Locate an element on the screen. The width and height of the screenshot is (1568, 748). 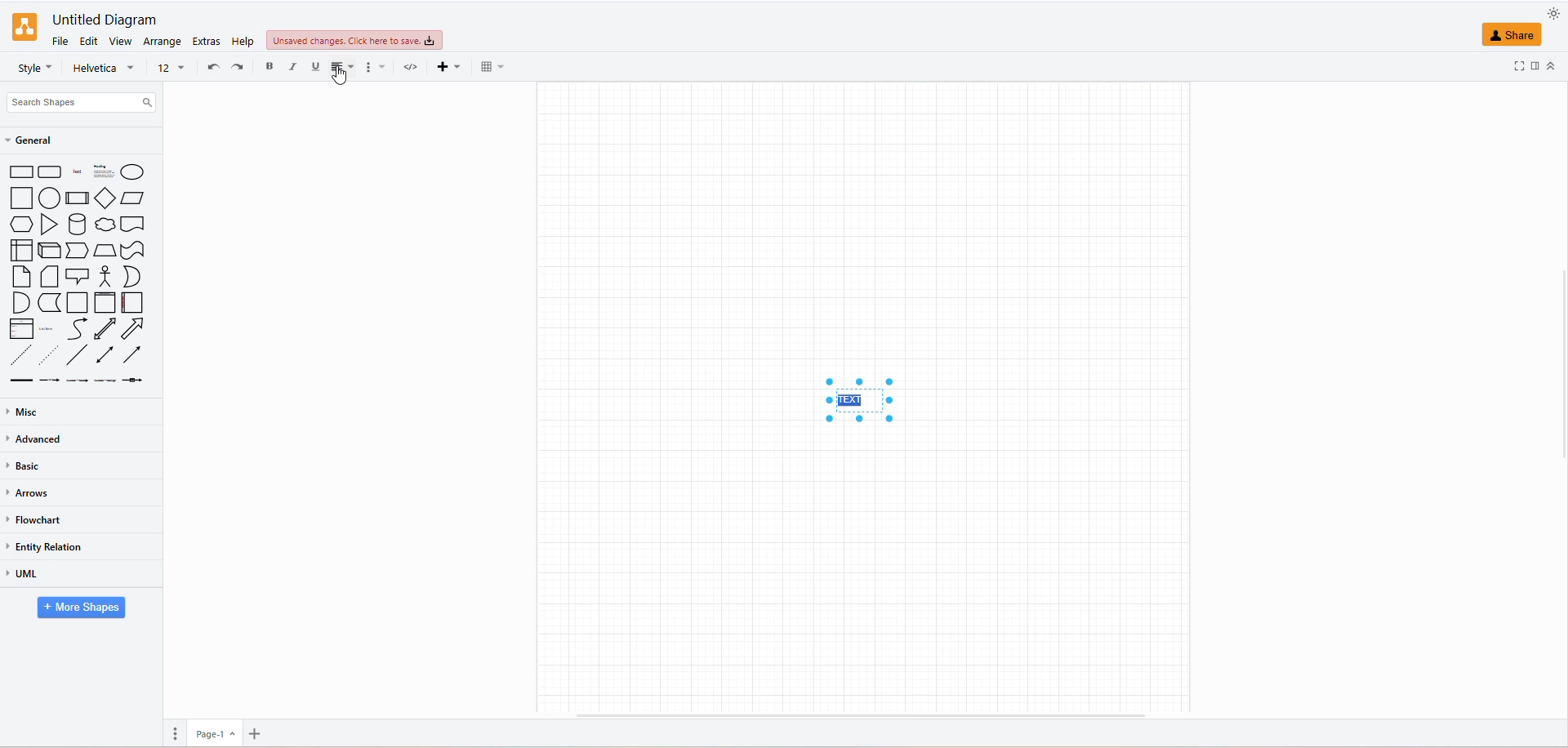
edit is located at coordinates (90, 42).